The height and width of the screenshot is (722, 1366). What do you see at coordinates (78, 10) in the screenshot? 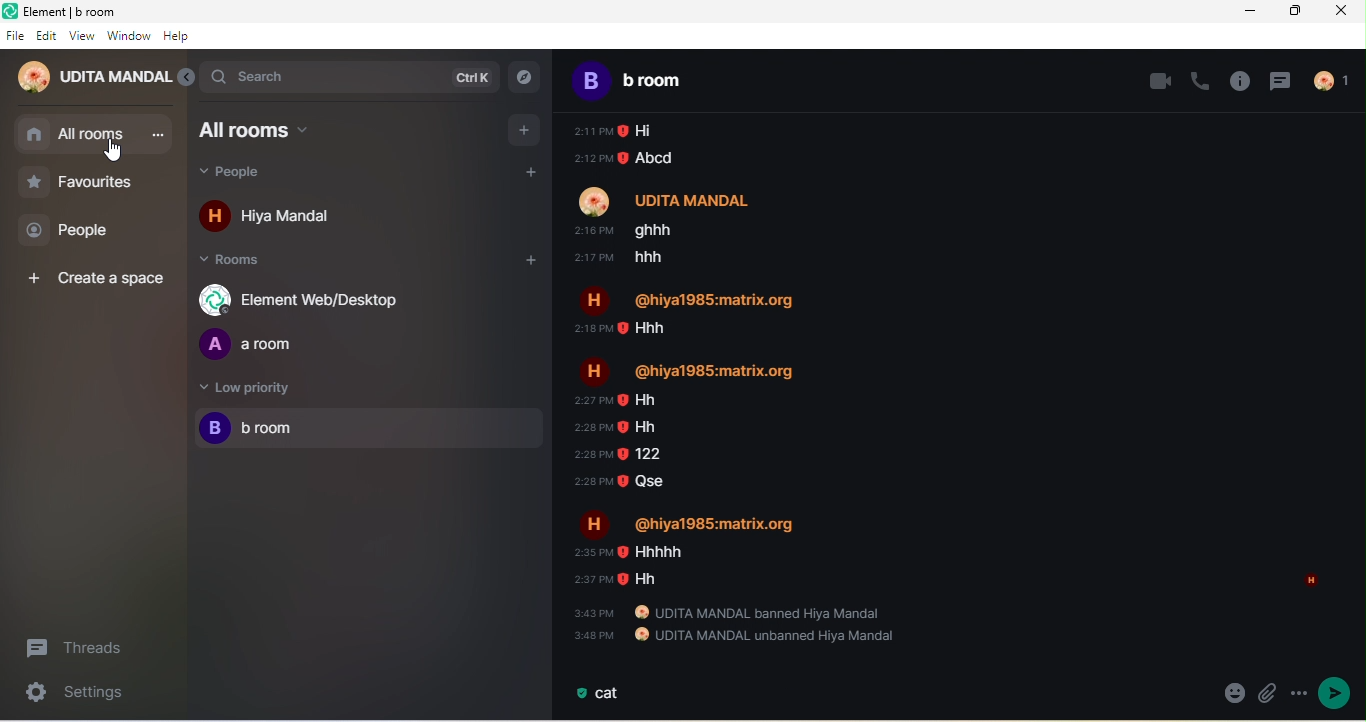
I see `Element | b room` at bounding box center [78, 10].